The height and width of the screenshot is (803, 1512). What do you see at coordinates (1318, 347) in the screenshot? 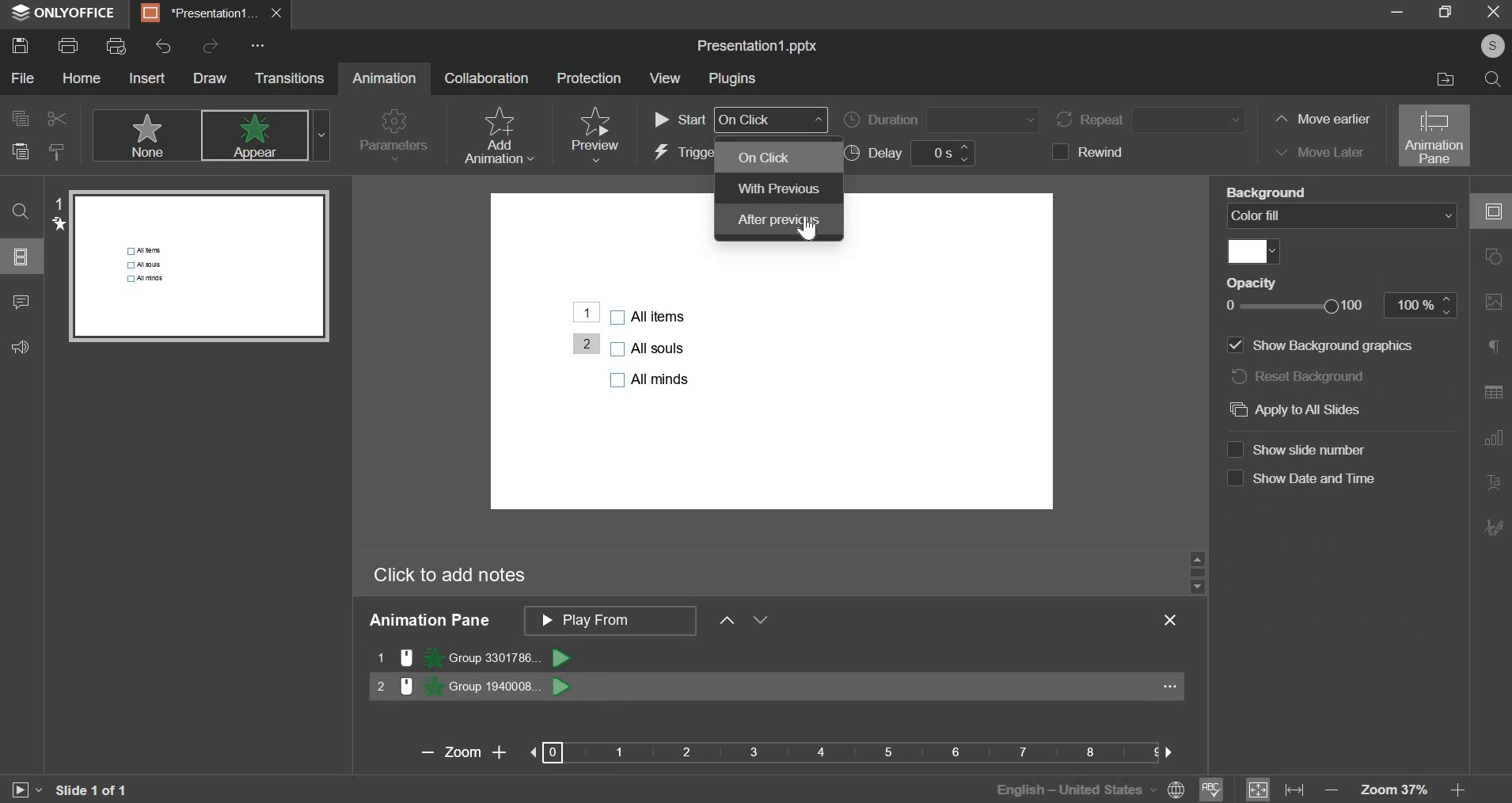
I see `show background graphics` at bounding box center [1318, 347].